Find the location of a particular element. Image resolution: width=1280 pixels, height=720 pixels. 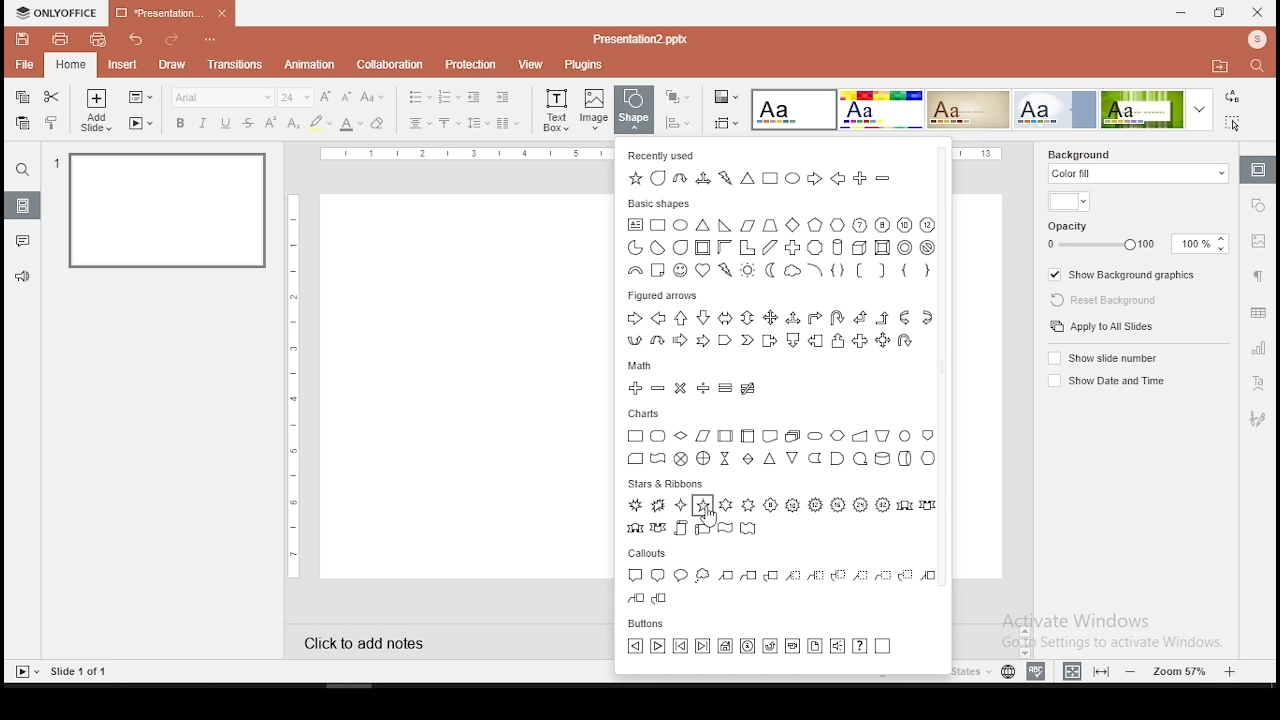

font is located at coordinates (222, 97).